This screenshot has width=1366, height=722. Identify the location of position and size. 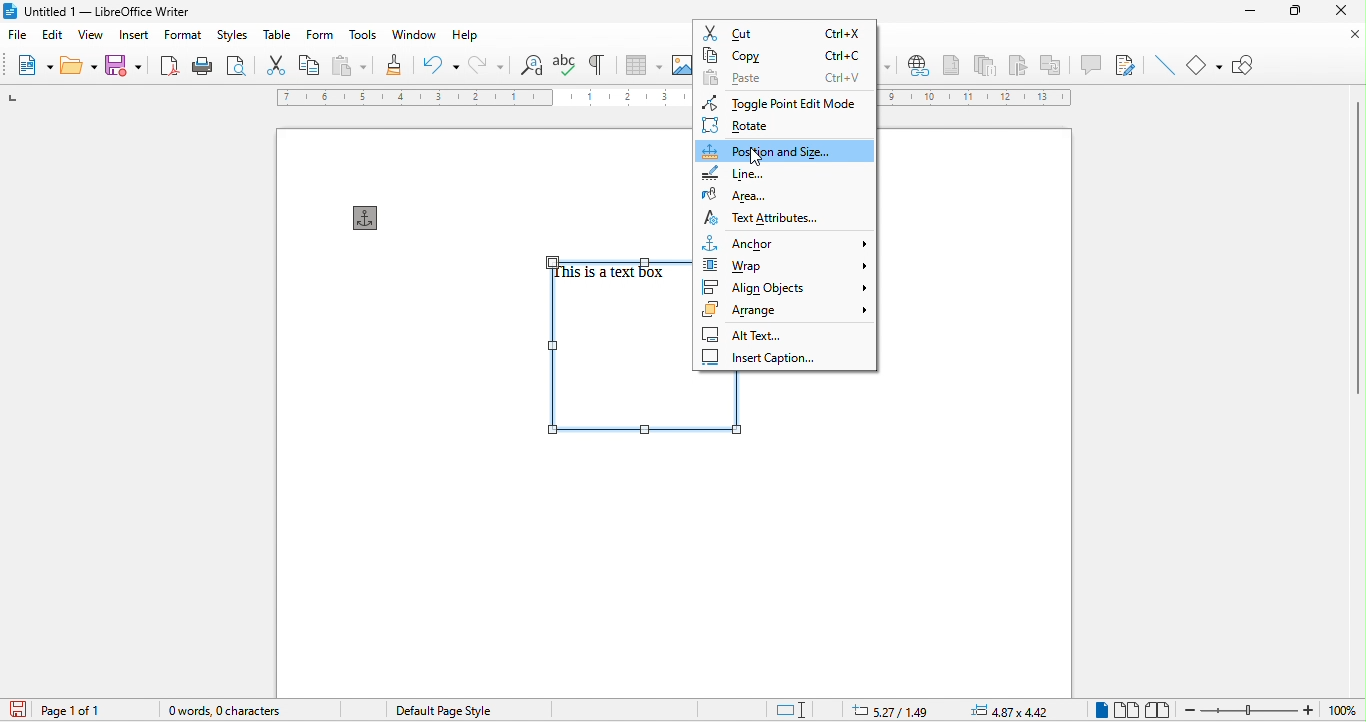
(784, 149).